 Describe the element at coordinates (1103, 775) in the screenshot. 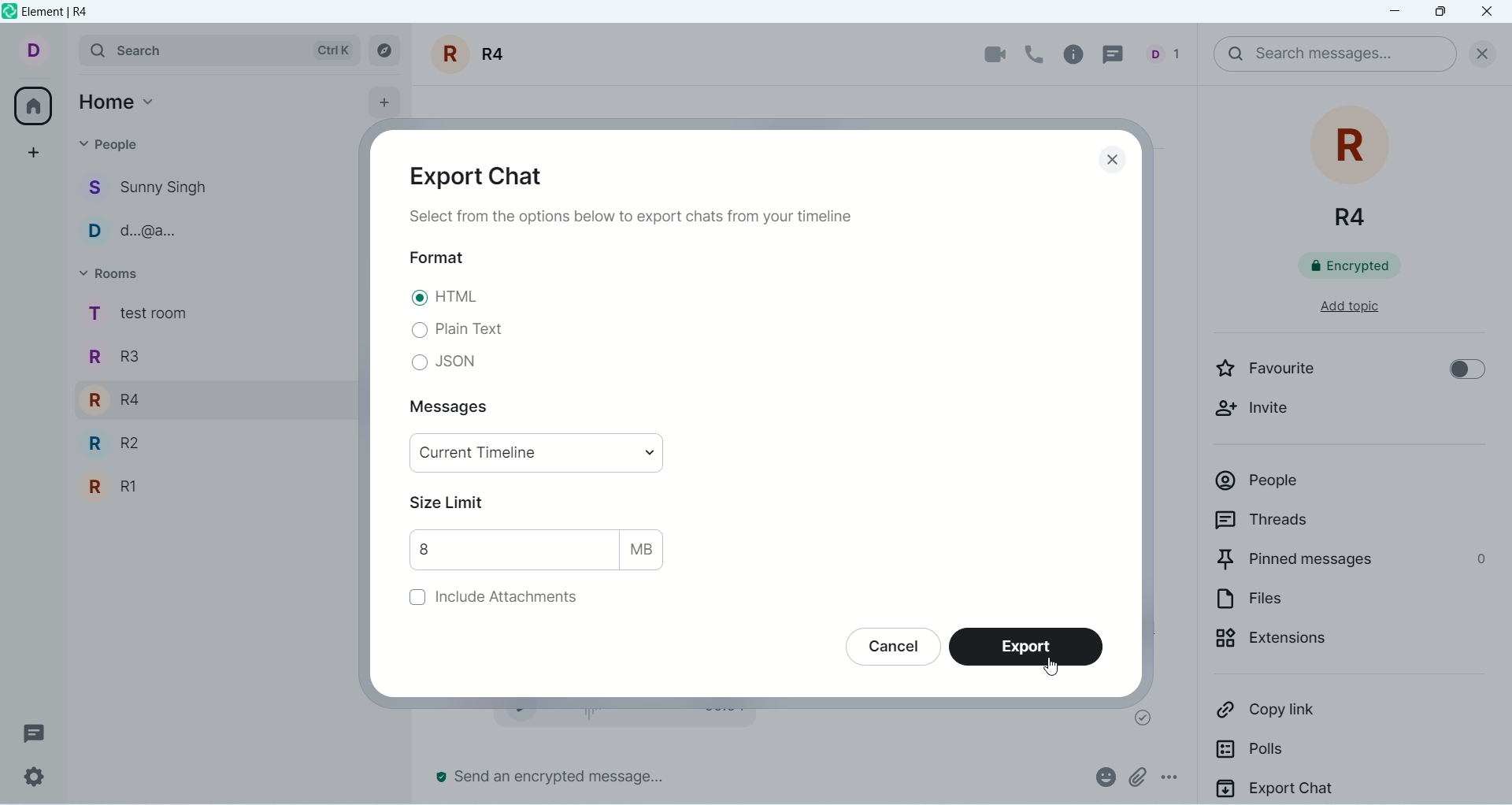

I see `emoji` at that location.